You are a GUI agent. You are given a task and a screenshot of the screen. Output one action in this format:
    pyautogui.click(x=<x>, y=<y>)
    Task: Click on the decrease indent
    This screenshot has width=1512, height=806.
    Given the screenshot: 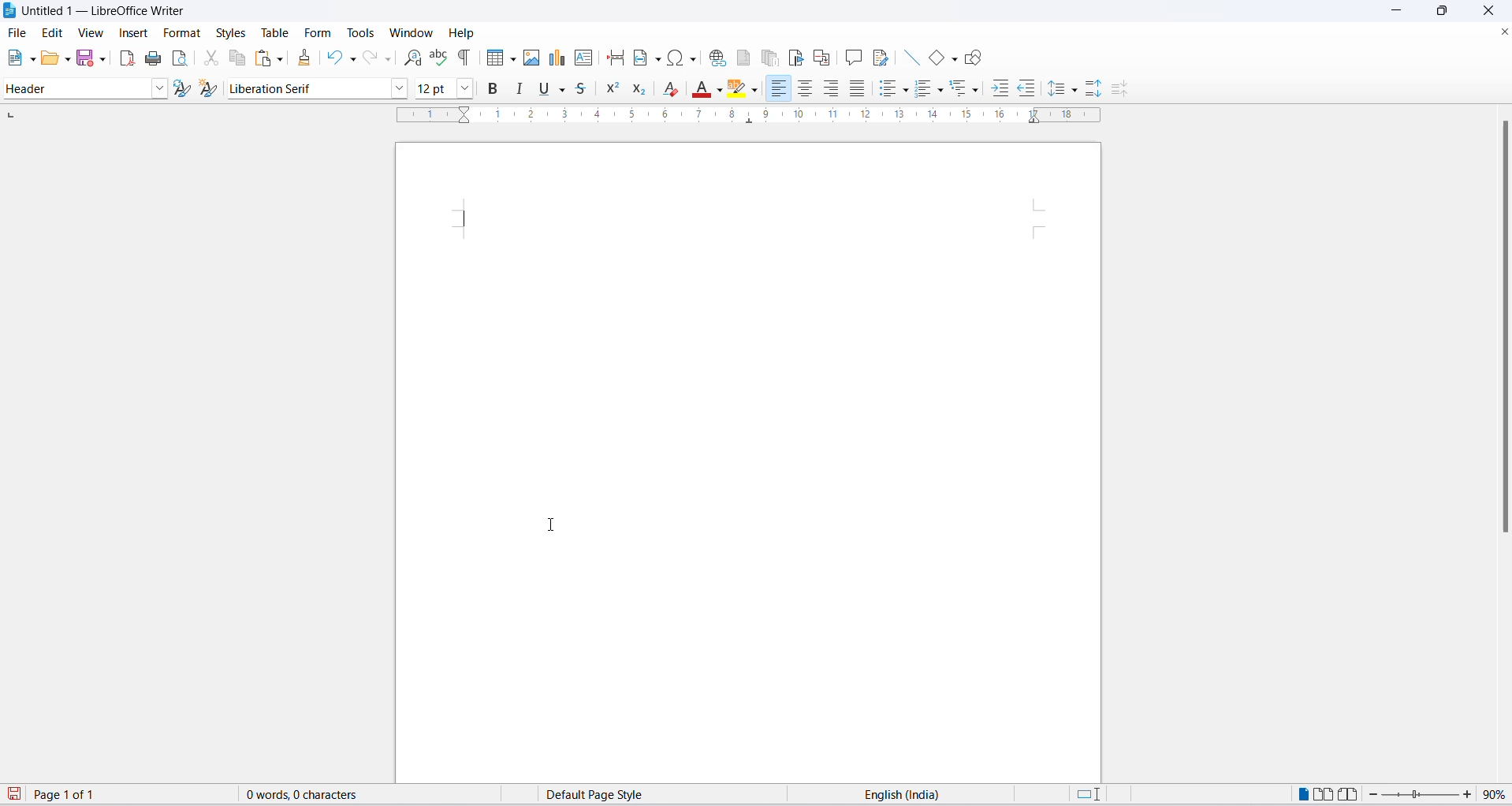 What is the action you would take?
    pyautogui.click(x=1029, y=88)
    